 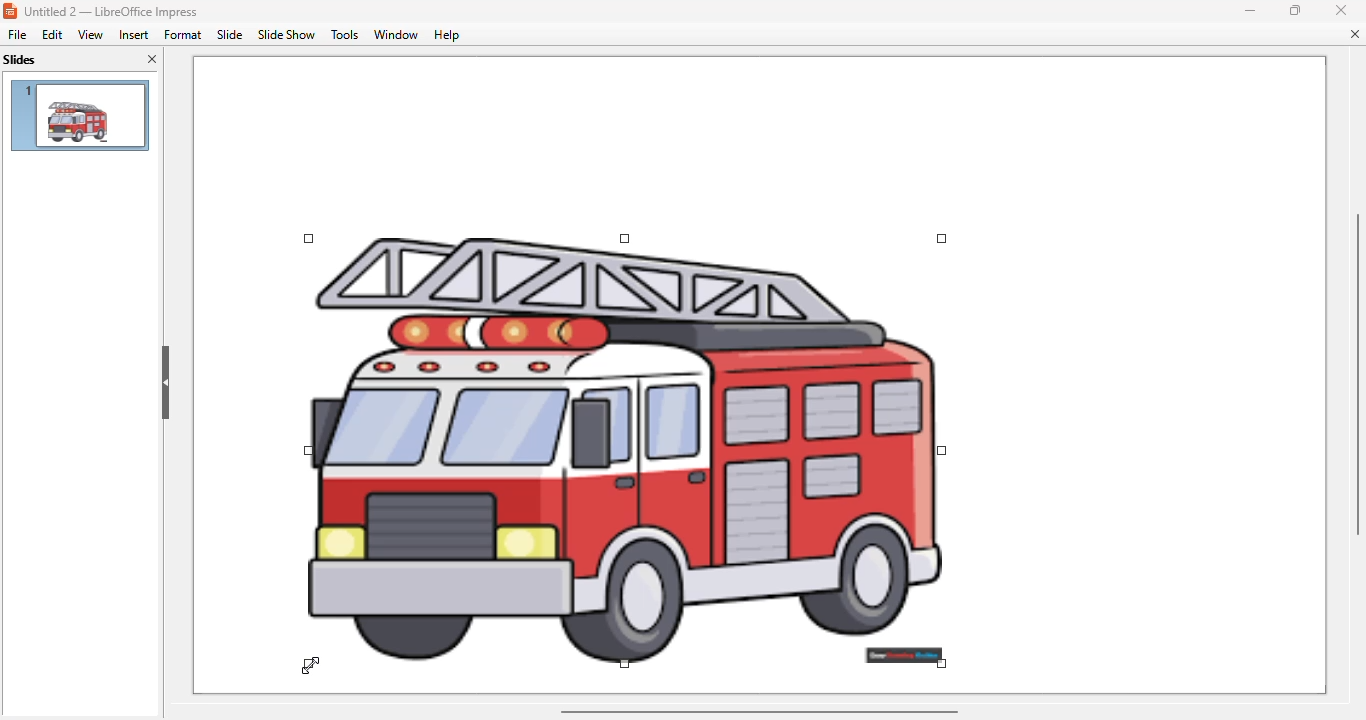 I want to click on format, so click(x=182, y=34).